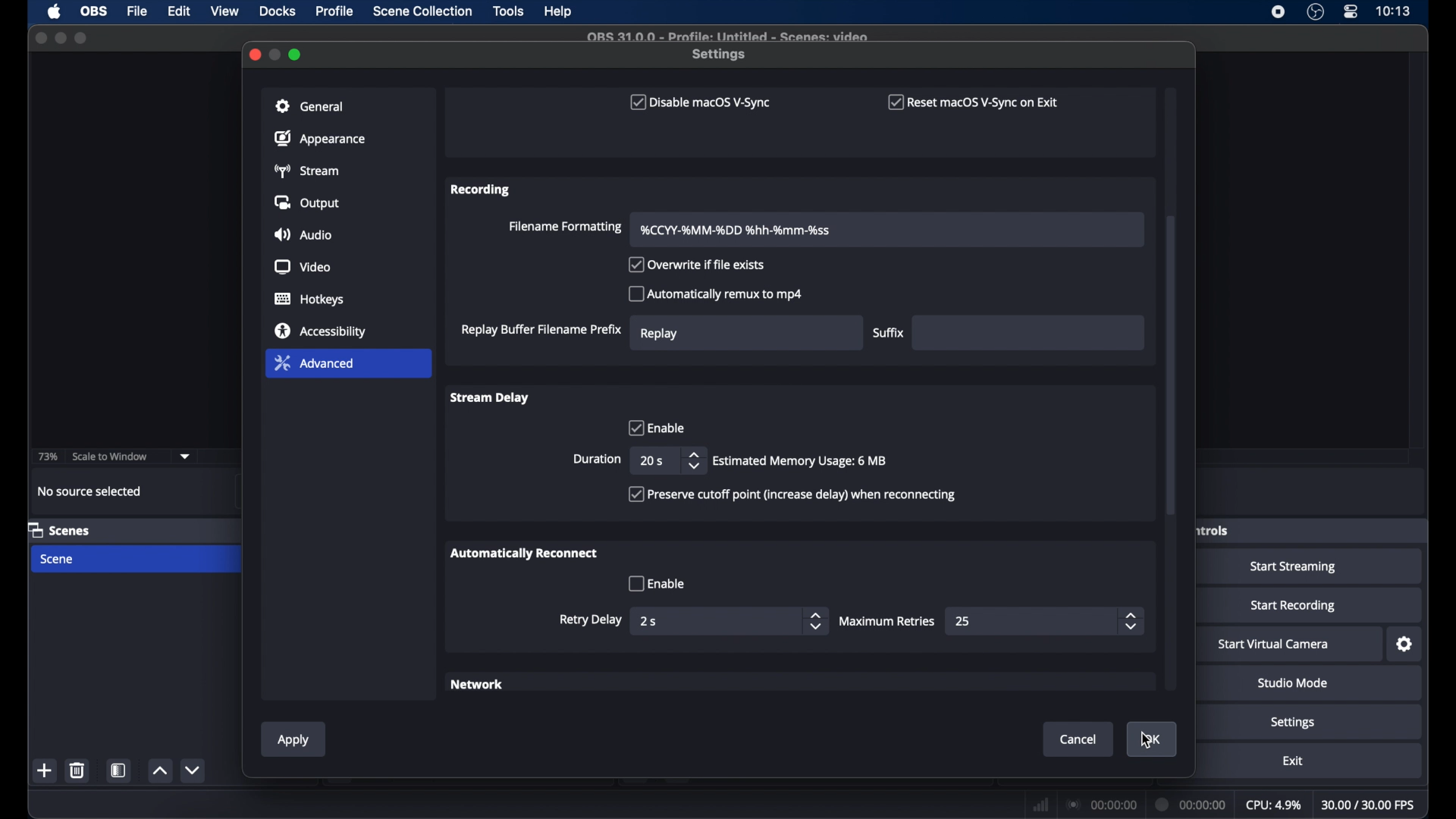  What do you see at coordinates (1369, 805) in the screenshot?
I see `fps` at bounding box center [1369, 805].